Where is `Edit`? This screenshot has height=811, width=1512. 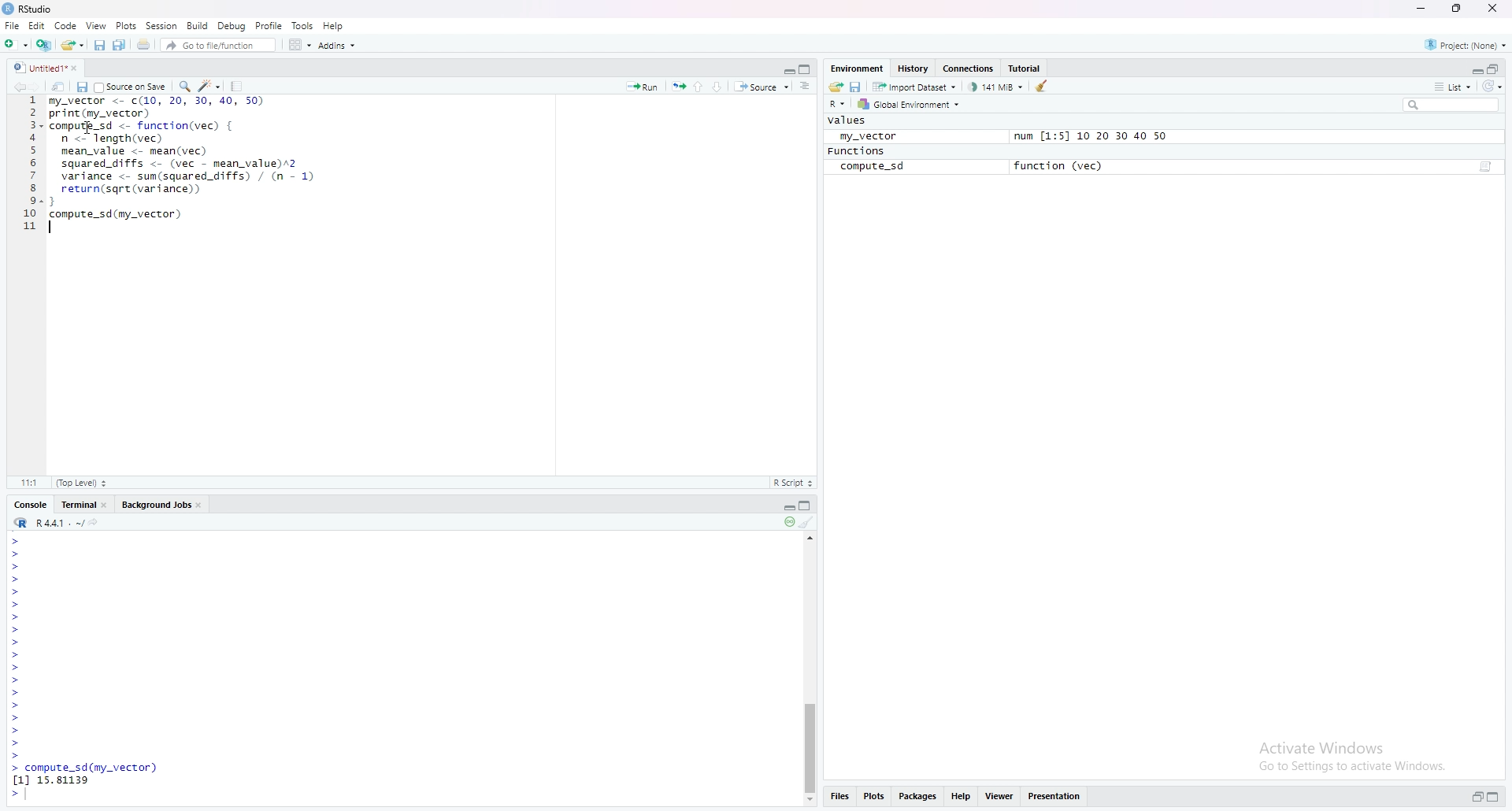 Edit is located at coordinates (39, 27).